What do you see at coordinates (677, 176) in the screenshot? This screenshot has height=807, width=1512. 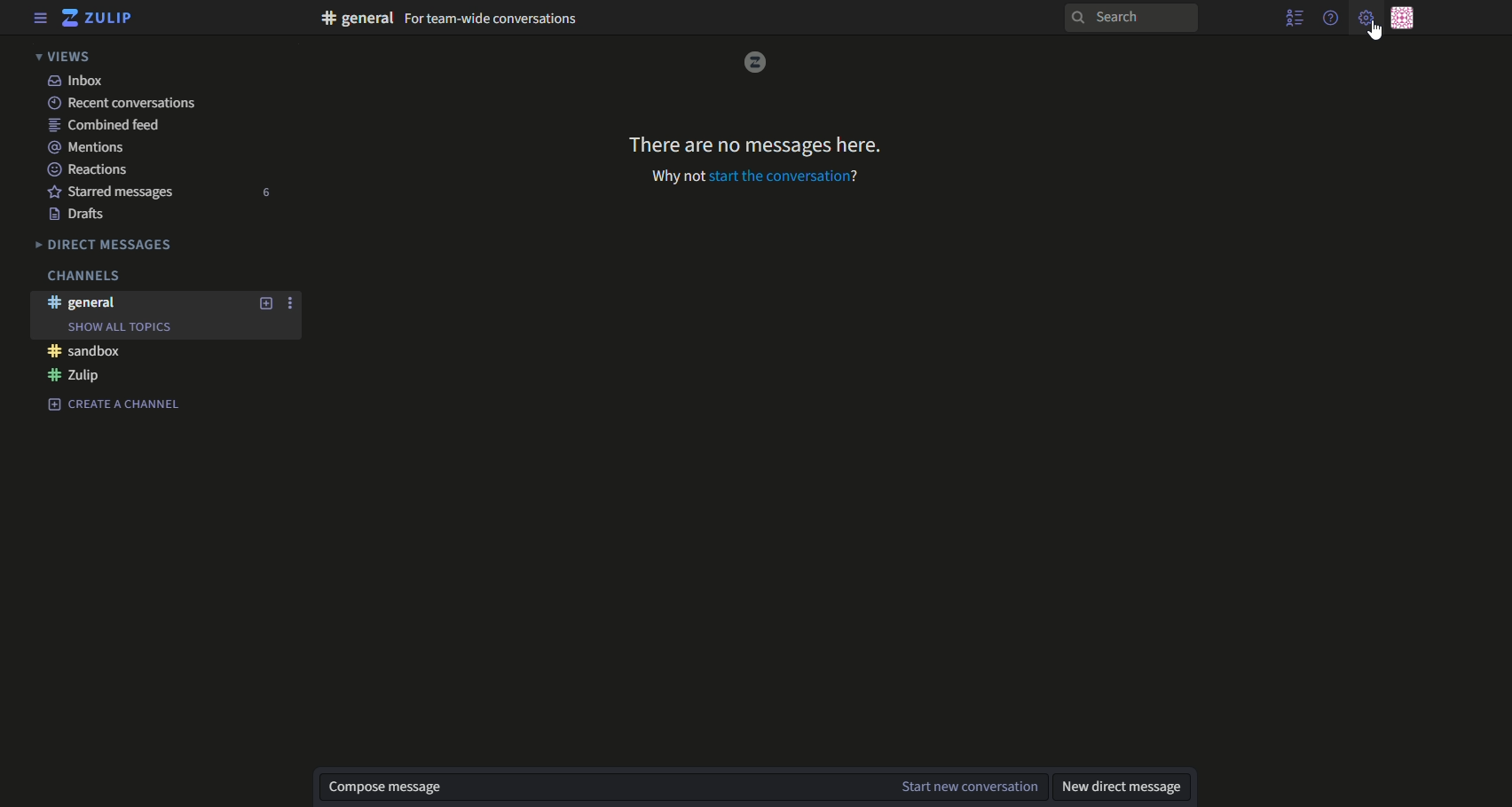 I see `why not` at bounding box center [677, 176].